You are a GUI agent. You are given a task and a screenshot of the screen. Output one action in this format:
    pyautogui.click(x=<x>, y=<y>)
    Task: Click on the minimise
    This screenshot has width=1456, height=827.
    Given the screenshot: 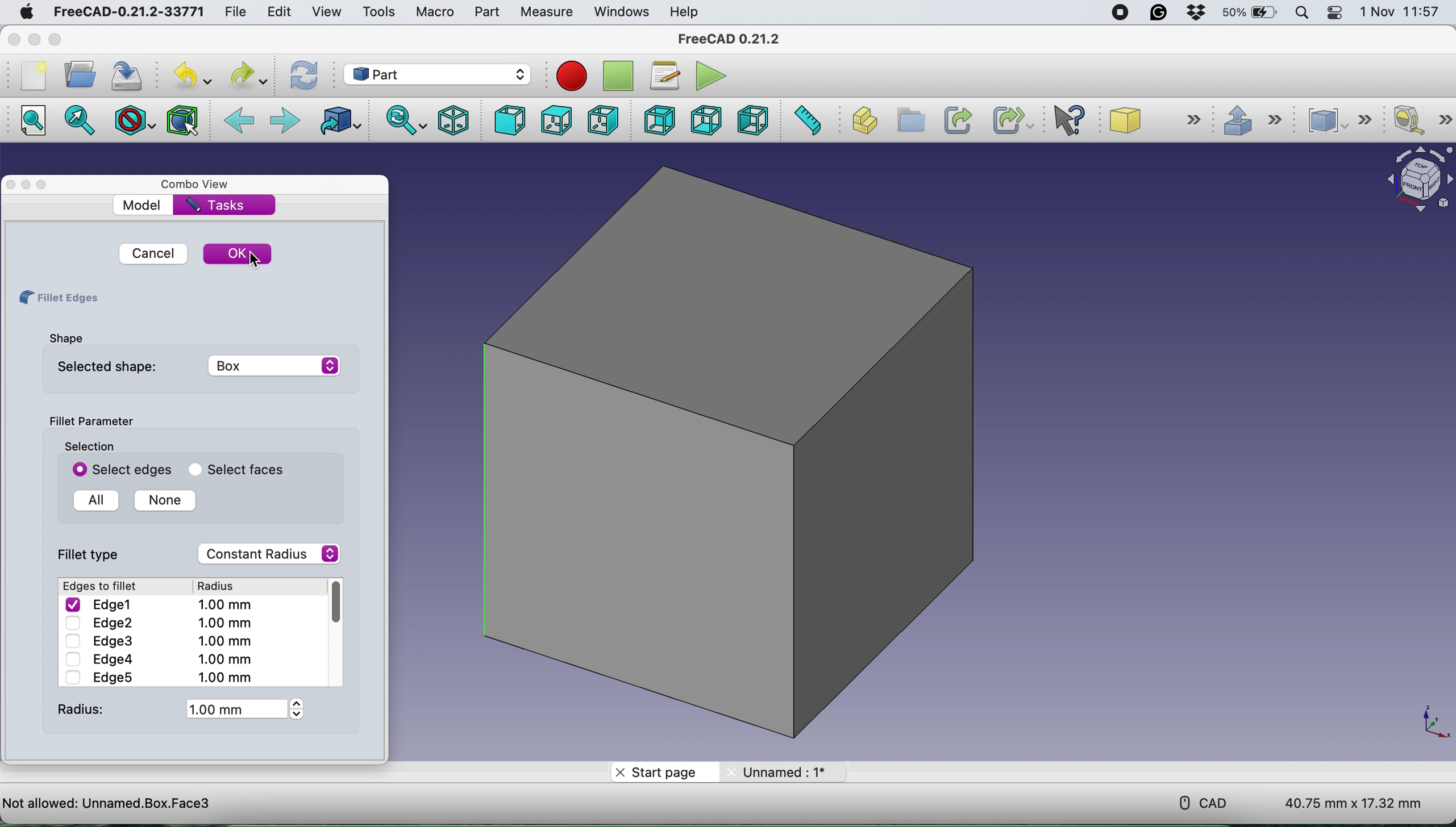 What is the action you would take?
    pyautogui.click(x=27, y=184)
    